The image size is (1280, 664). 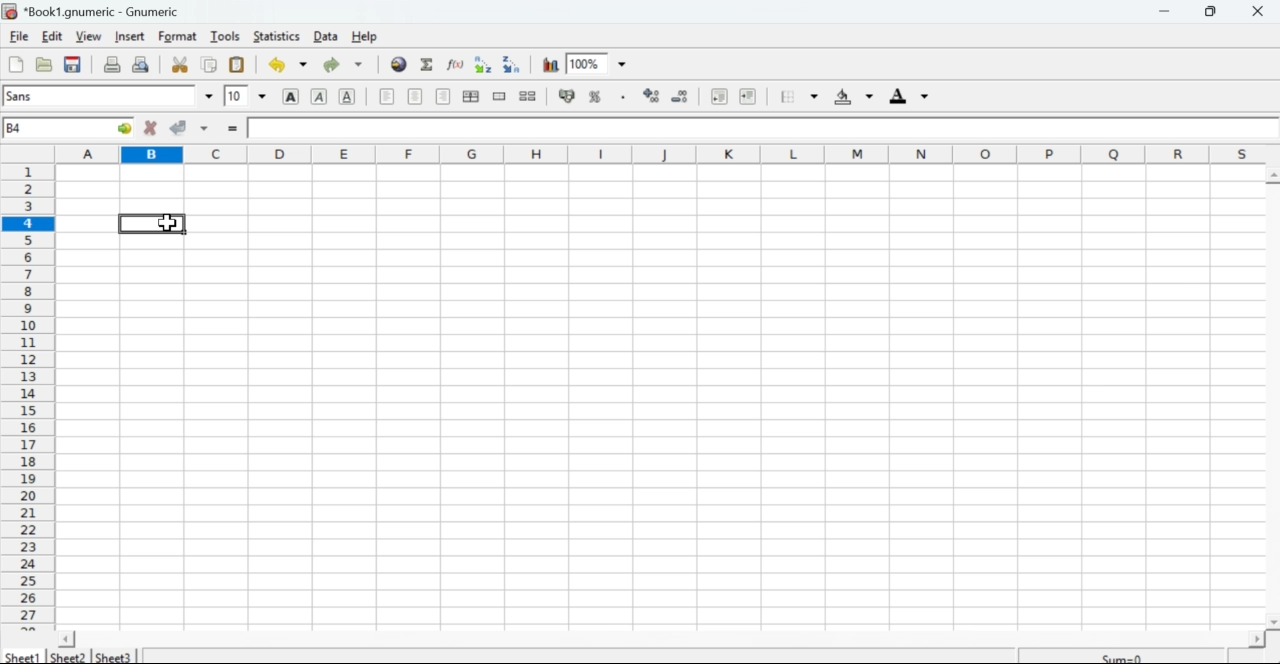 I want to click on scroll right, so click(x=1256, y=640).